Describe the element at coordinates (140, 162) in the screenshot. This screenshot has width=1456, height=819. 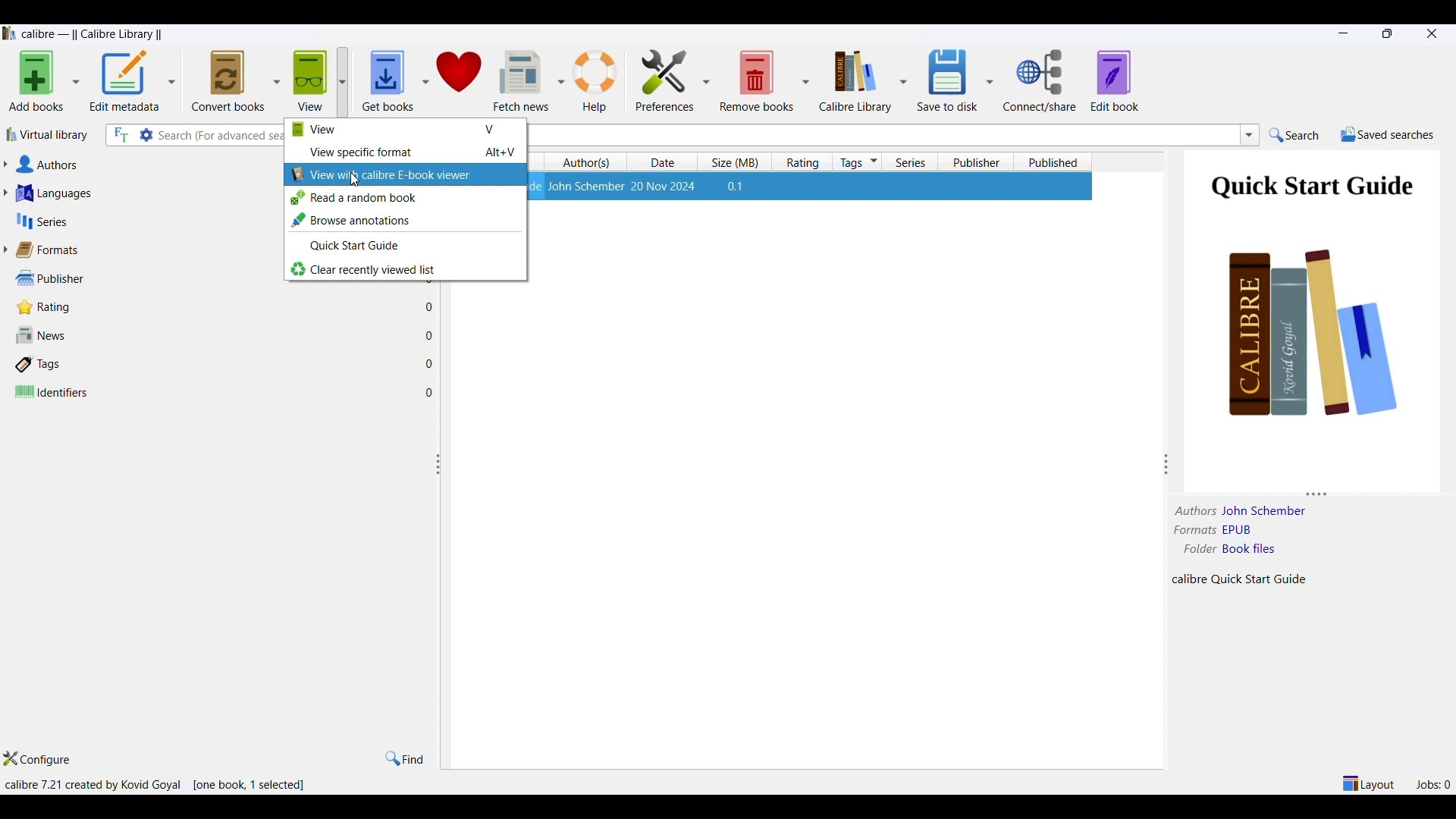
I see `authors` at that location.